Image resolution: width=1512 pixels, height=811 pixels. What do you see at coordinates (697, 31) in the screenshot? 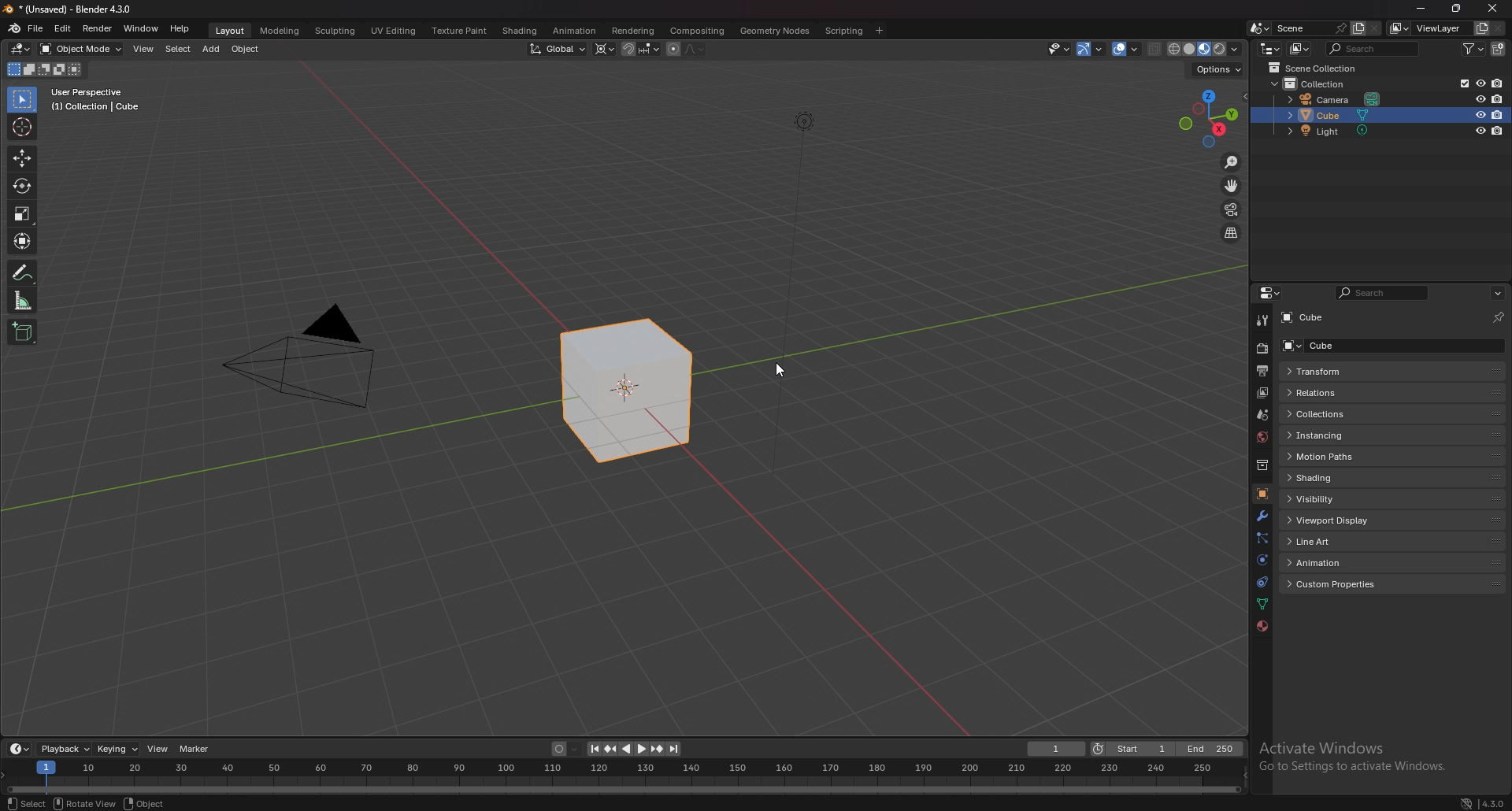
I see `compisiting` at bounding box center [697, 31].